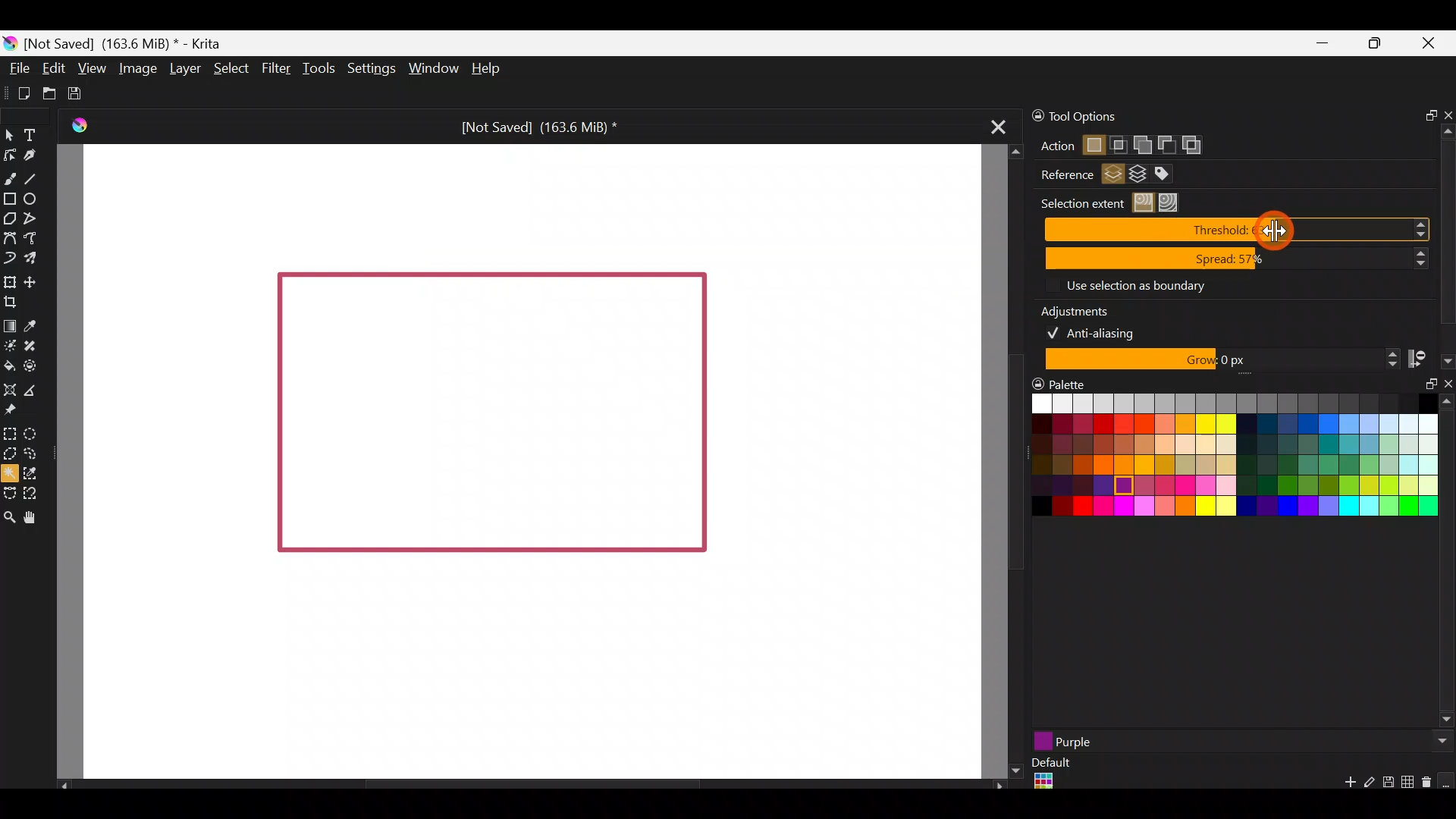  Describe the element at coordinates (33, 490) in the screenshot. I see `Magnetic curve selection tool` at that location.